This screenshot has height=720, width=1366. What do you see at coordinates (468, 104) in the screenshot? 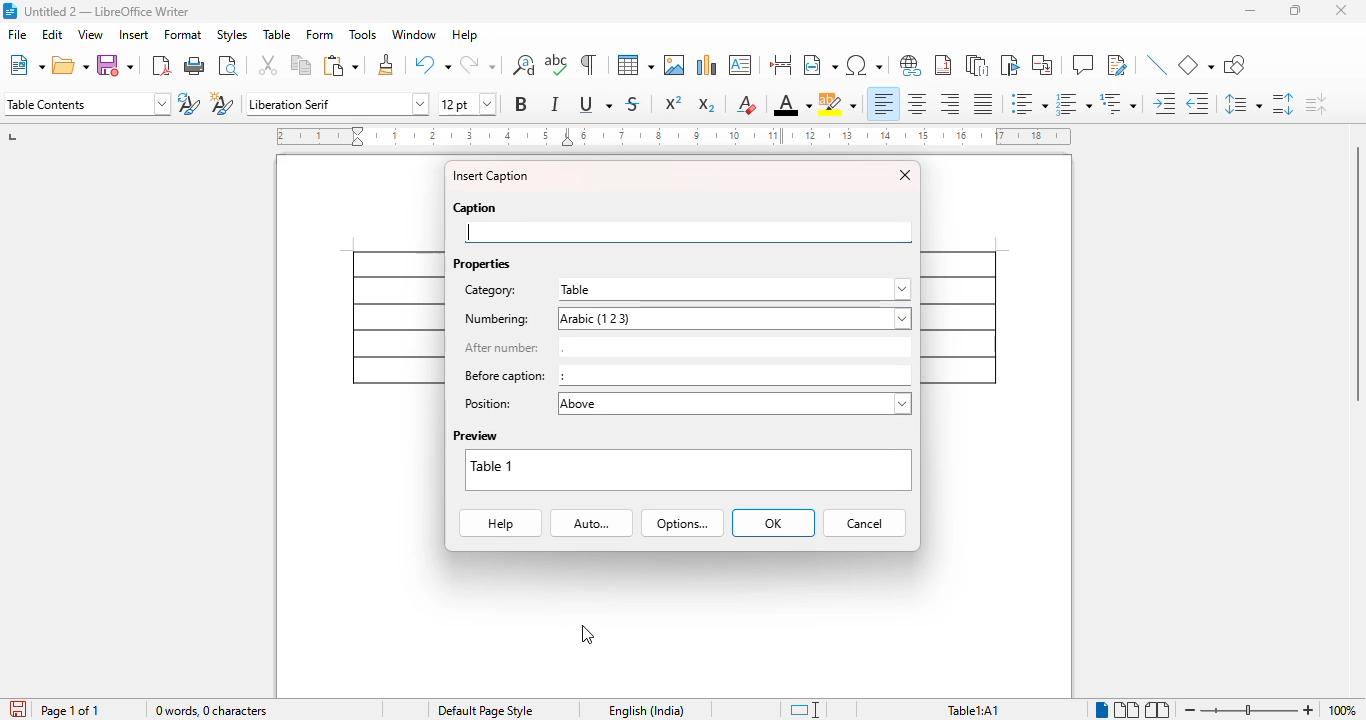
I see `font size` at bounding box center [468, 104].